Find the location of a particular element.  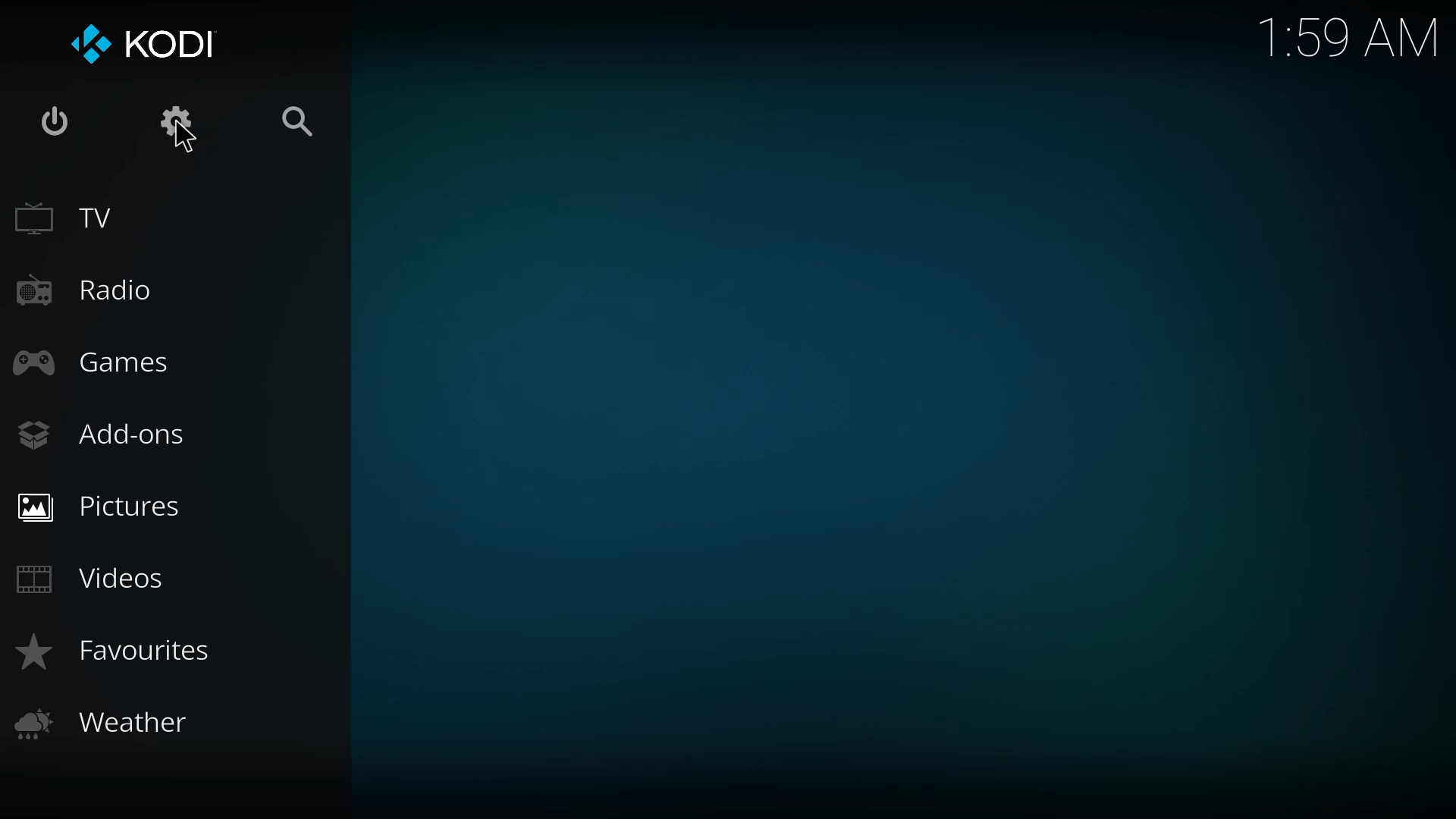

add-ons is located at coordinates (109, 436).